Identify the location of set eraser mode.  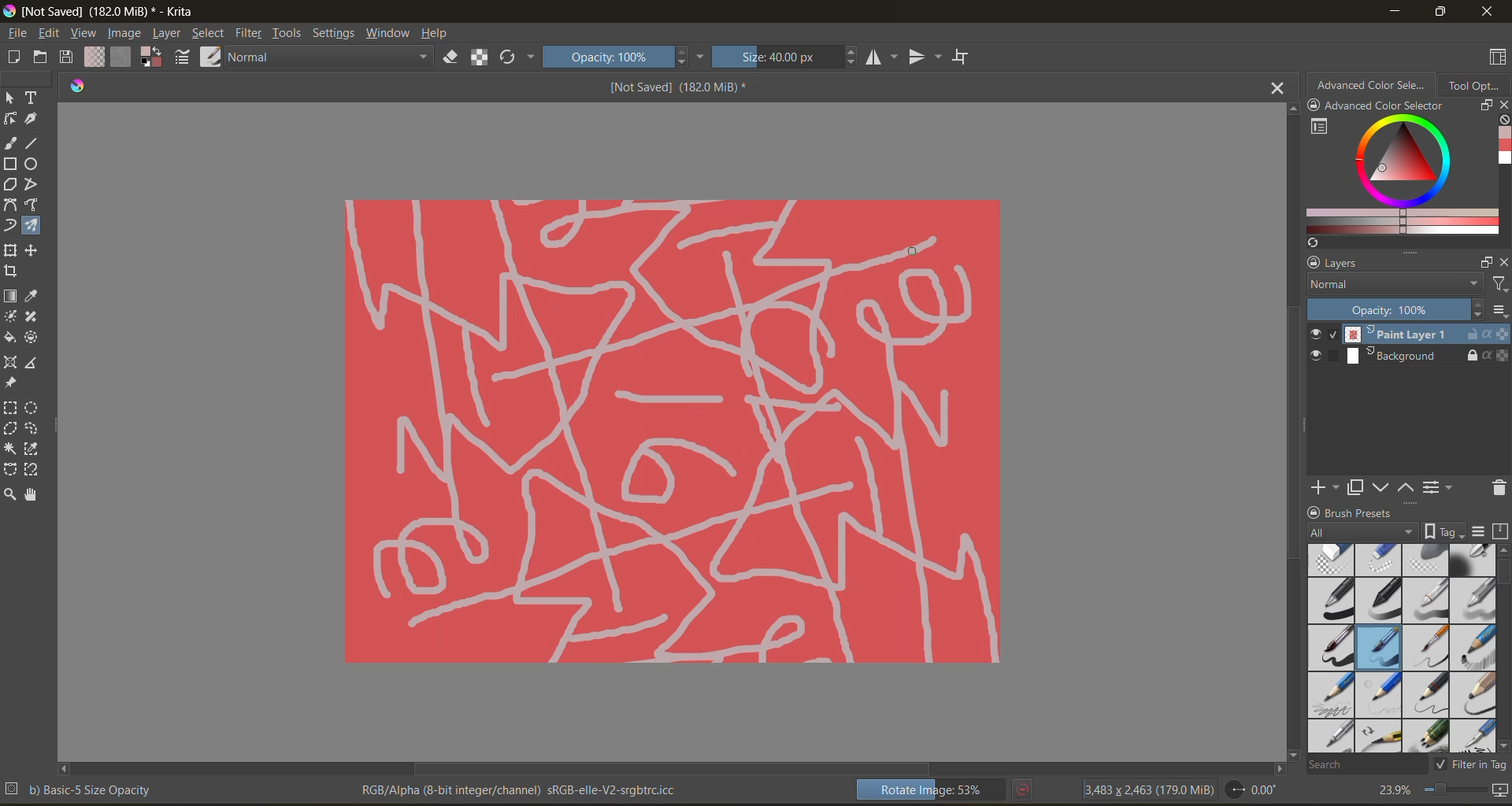
(444, 59).